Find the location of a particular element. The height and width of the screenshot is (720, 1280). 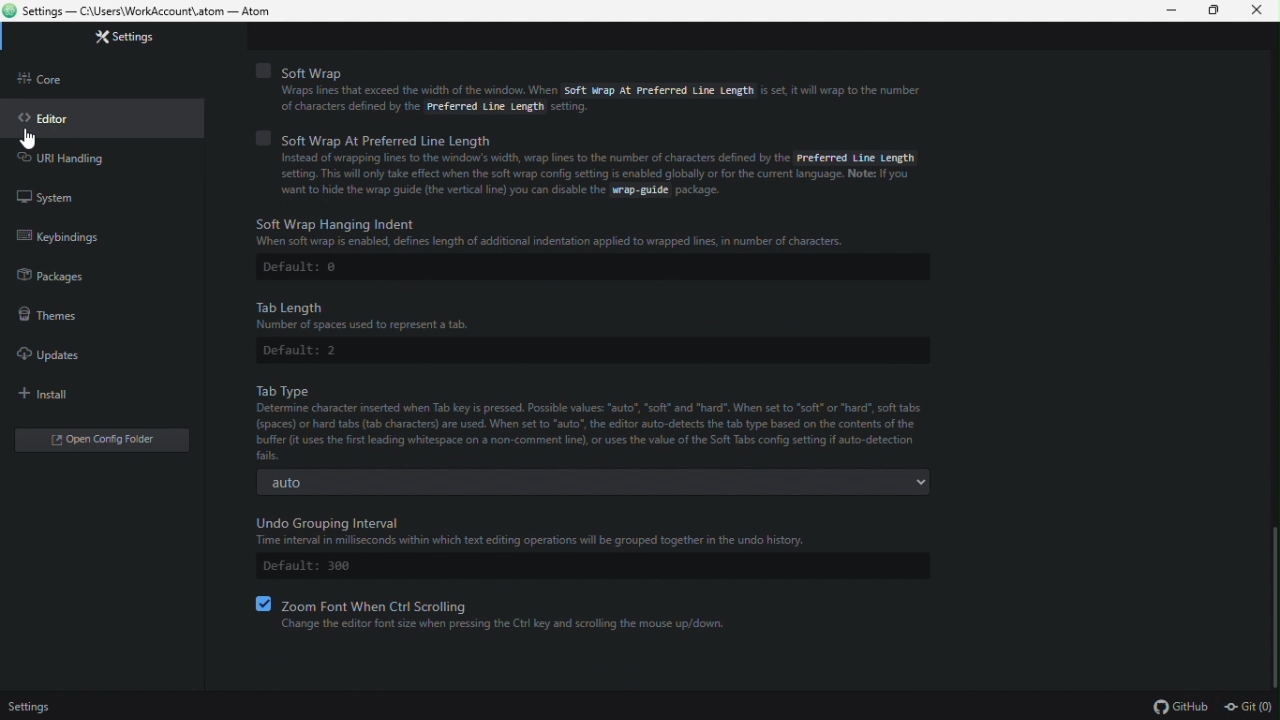

Packages is located at coordinates (59, 279).